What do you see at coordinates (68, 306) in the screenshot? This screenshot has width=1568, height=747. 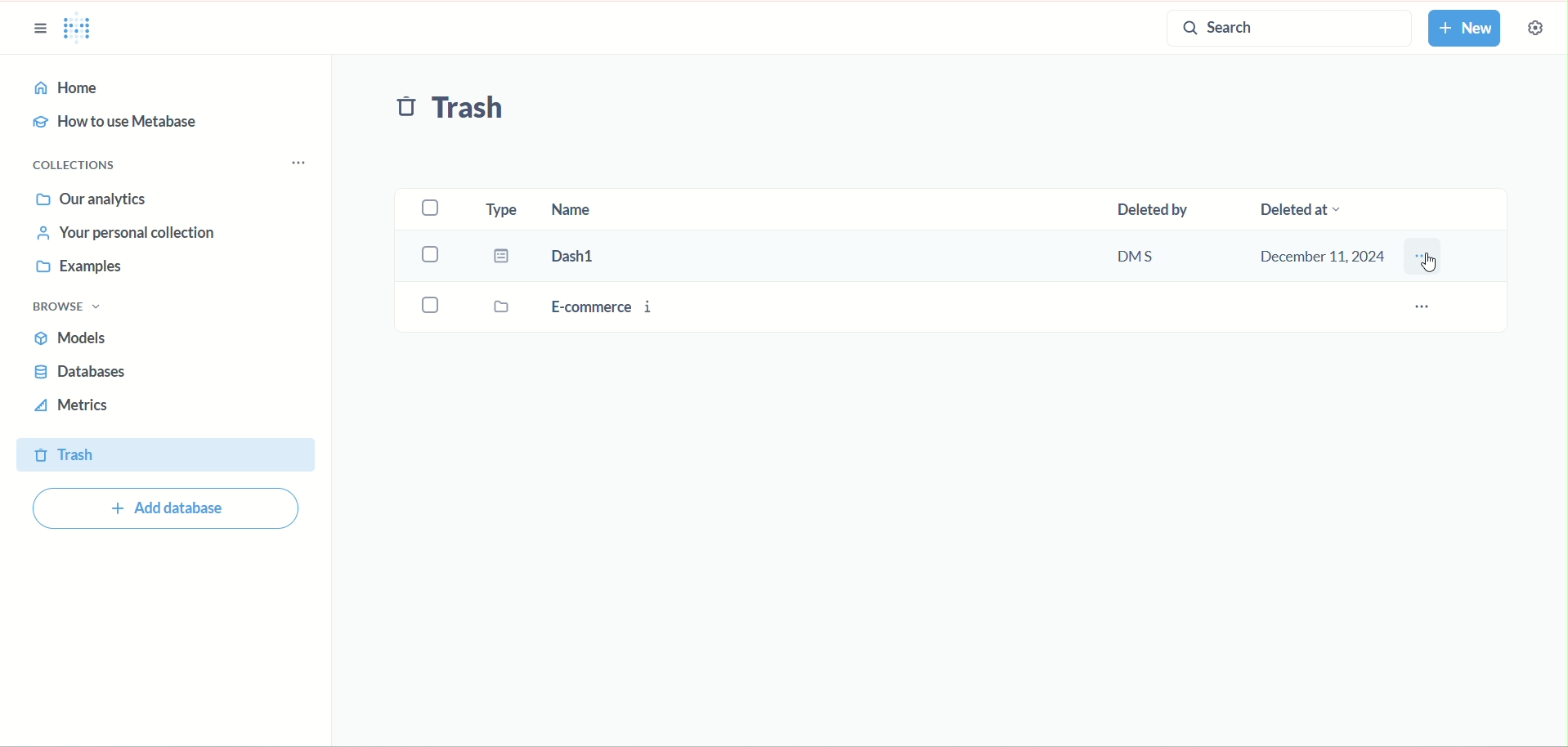 I see `browse` at bounding box center [68, 306].